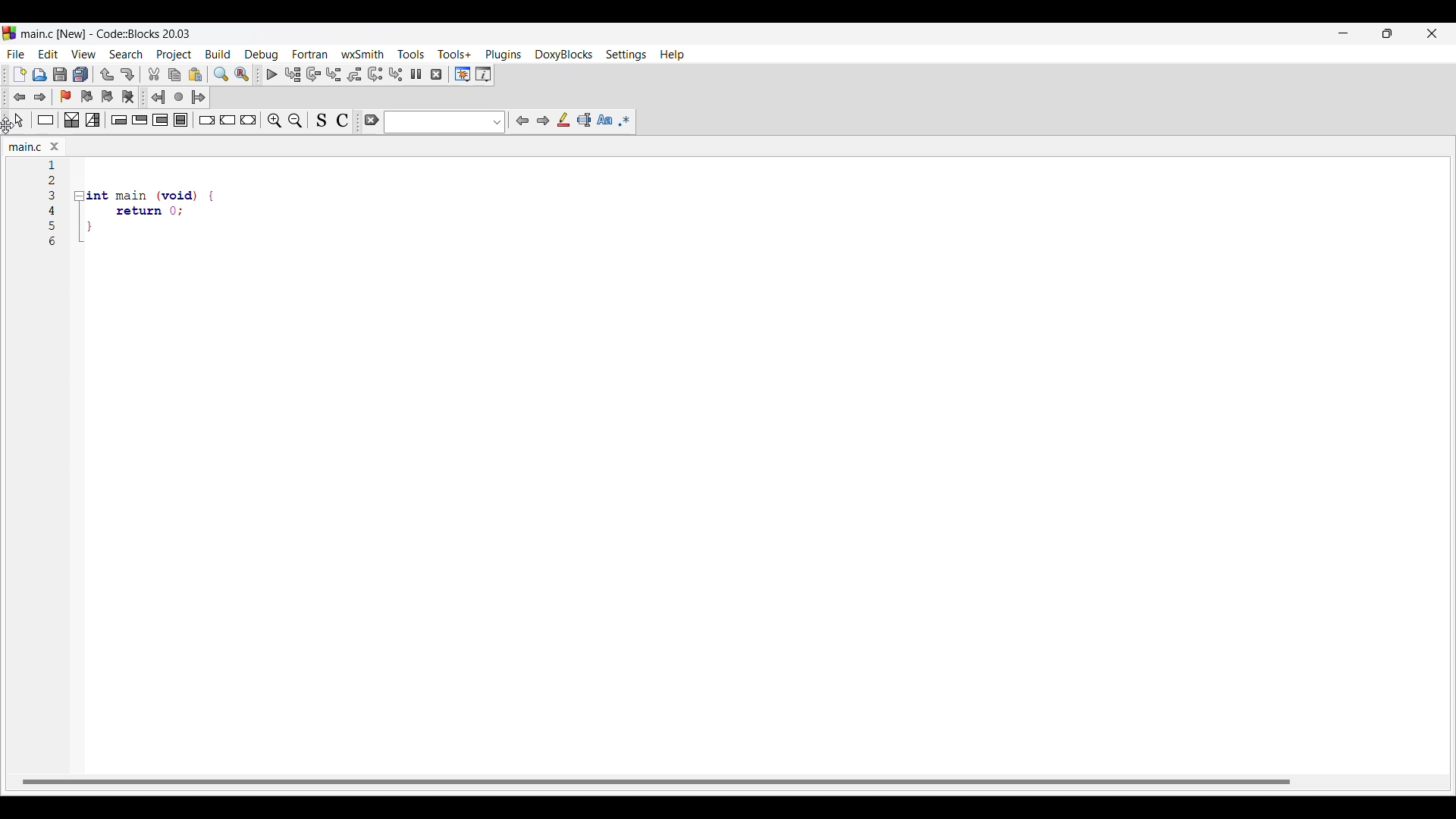  Describe the element at coordinates (196, 74) in the screenshot. I see `Paste` at that location.